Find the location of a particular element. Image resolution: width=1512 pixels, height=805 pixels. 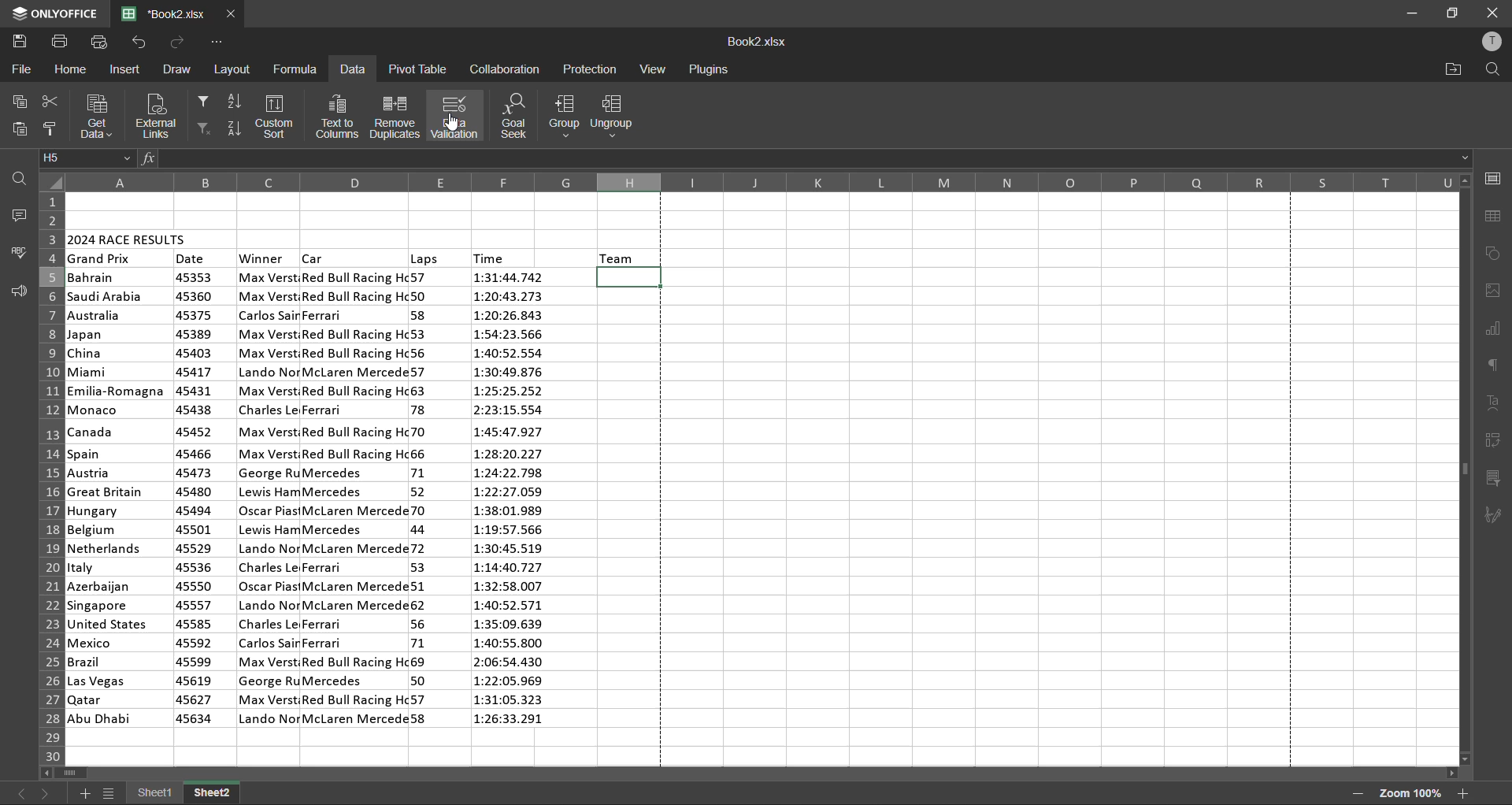

winner is located at coordinates (262, 258).